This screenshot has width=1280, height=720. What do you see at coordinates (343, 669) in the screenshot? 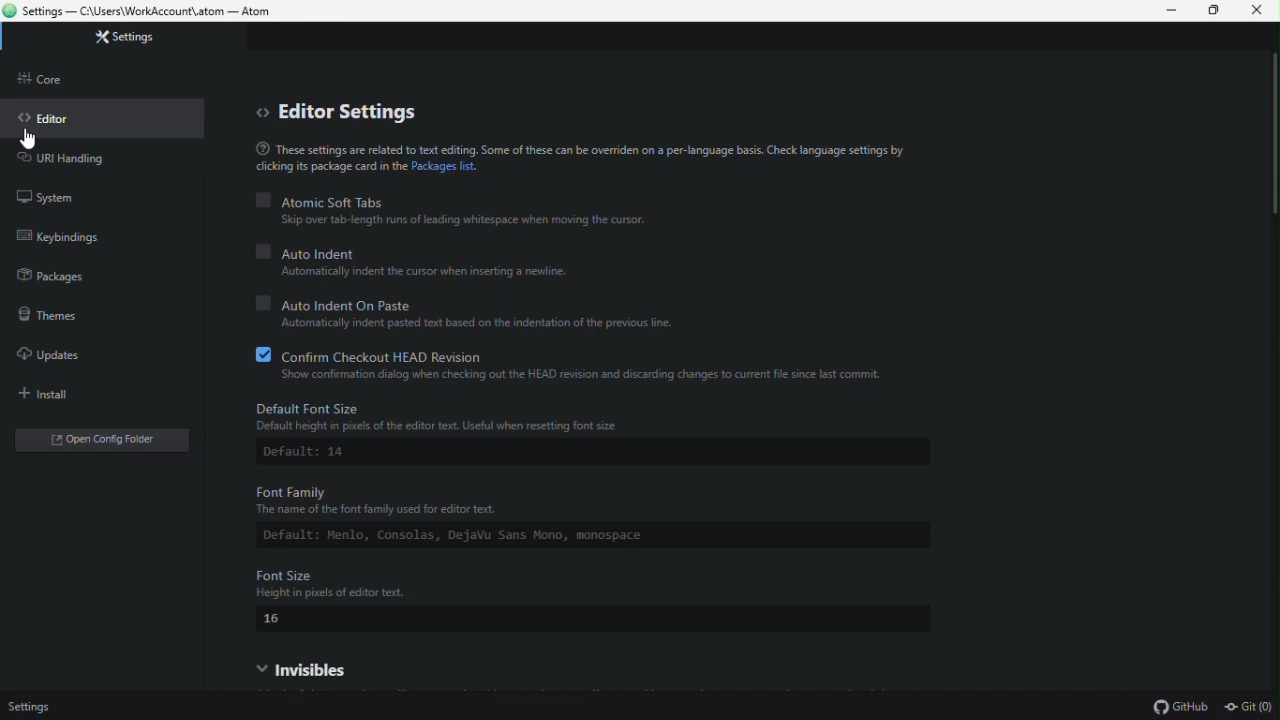
I see `Invisible` at bounding box center [343, 669].